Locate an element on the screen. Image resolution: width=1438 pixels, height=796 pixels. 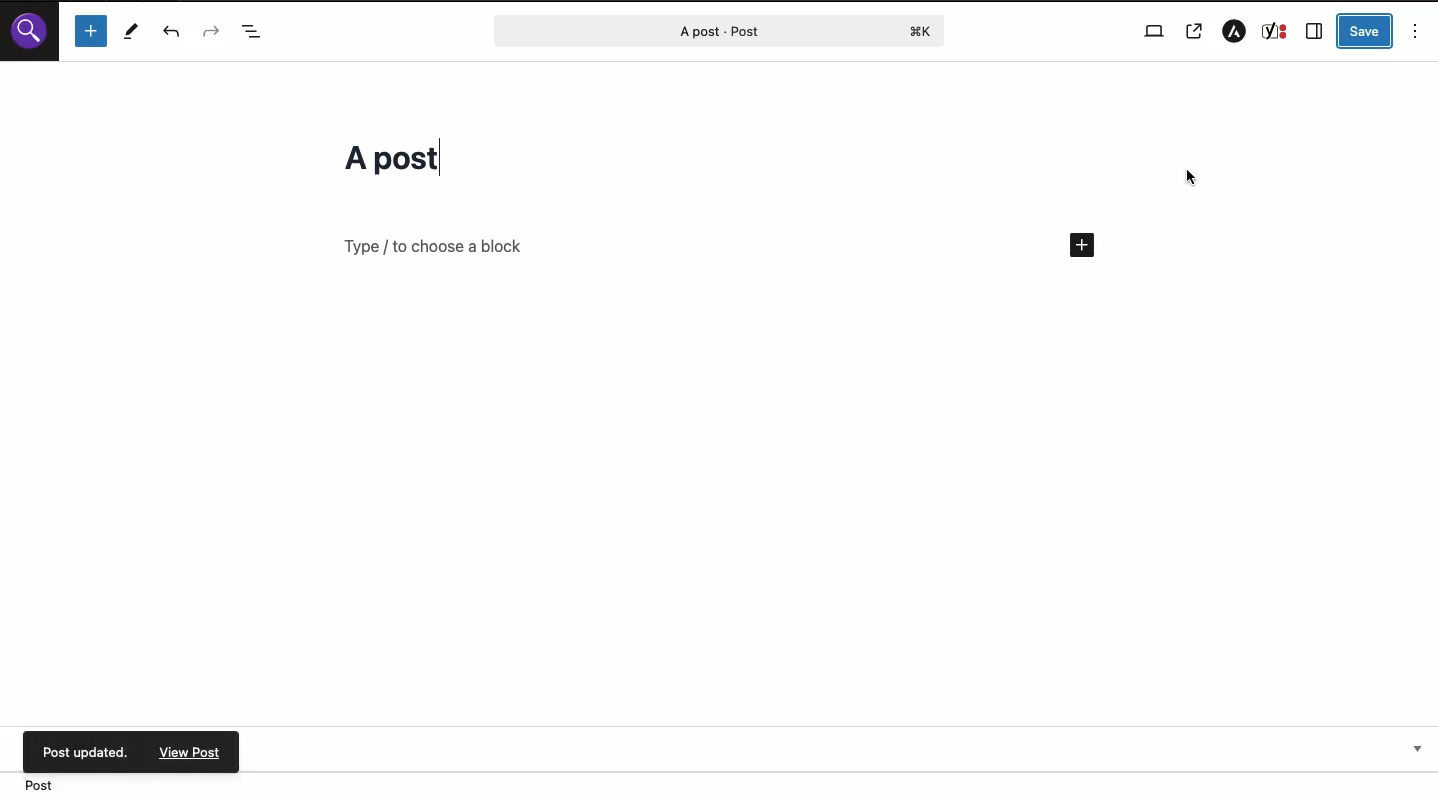
Astra is located at coordinates (1230, 32).